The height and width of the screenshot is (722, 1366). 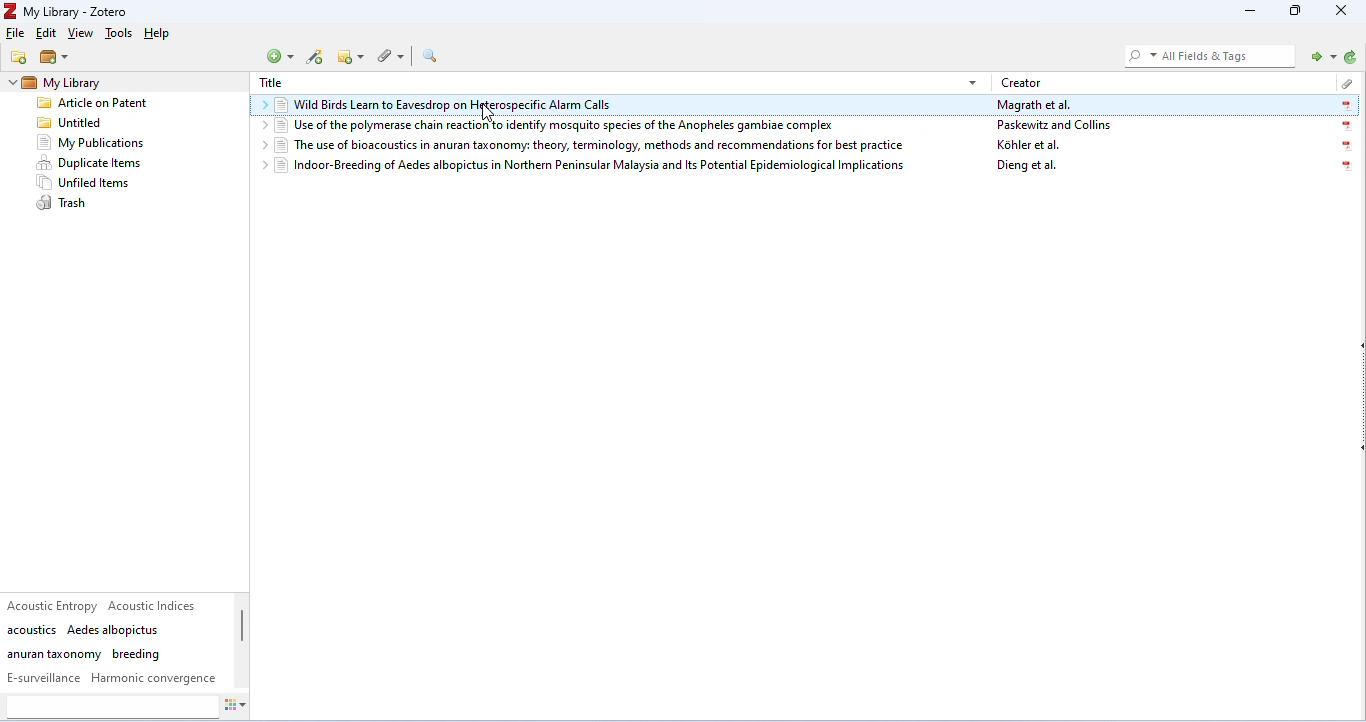 What do you see at coordinates (282, 56) in the screenshot?
I see `new item` at bounding box center [282, 56].